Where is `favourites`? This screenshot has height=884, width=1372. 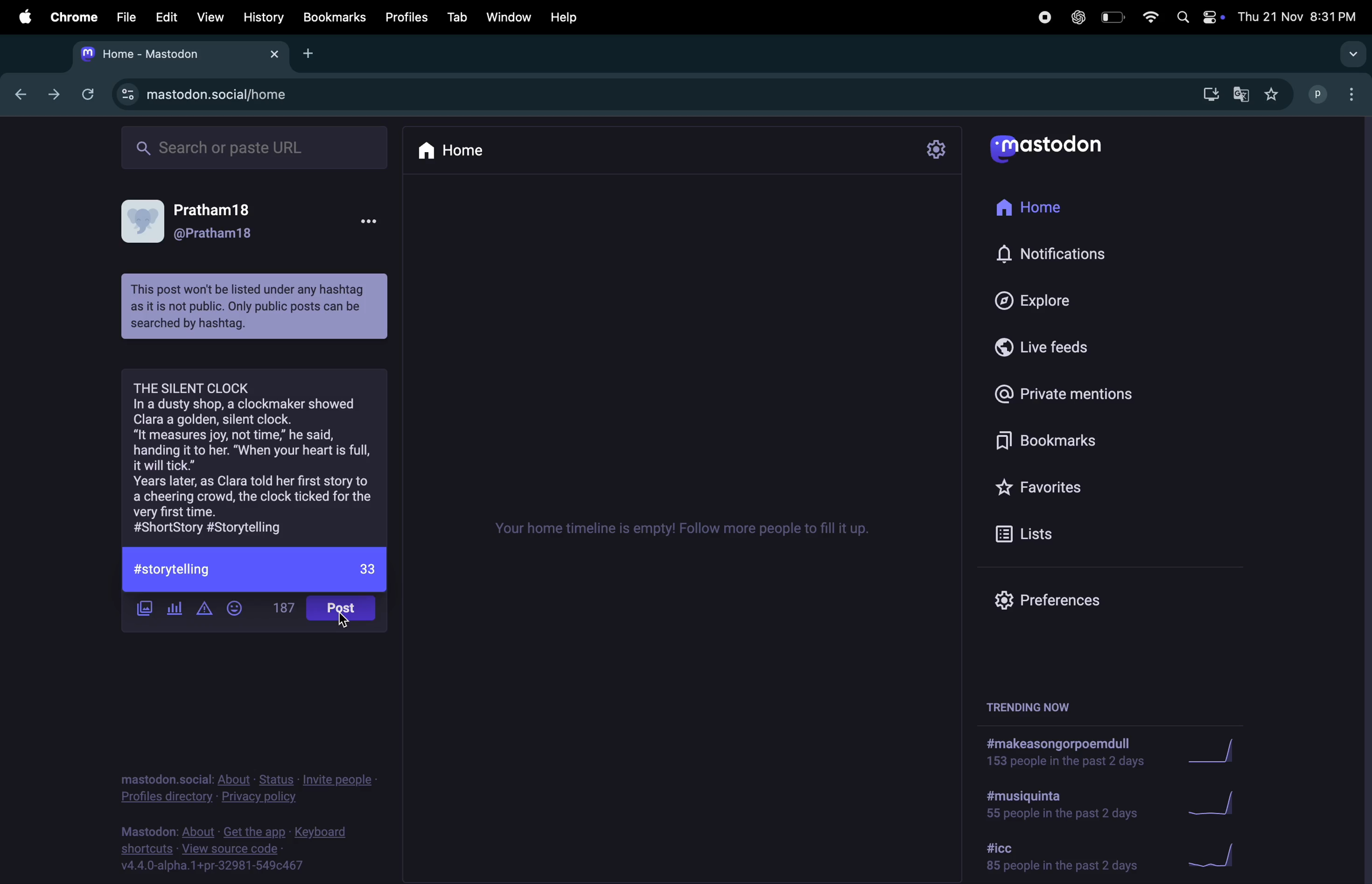 favourites is located at coordinates (1274, 94).